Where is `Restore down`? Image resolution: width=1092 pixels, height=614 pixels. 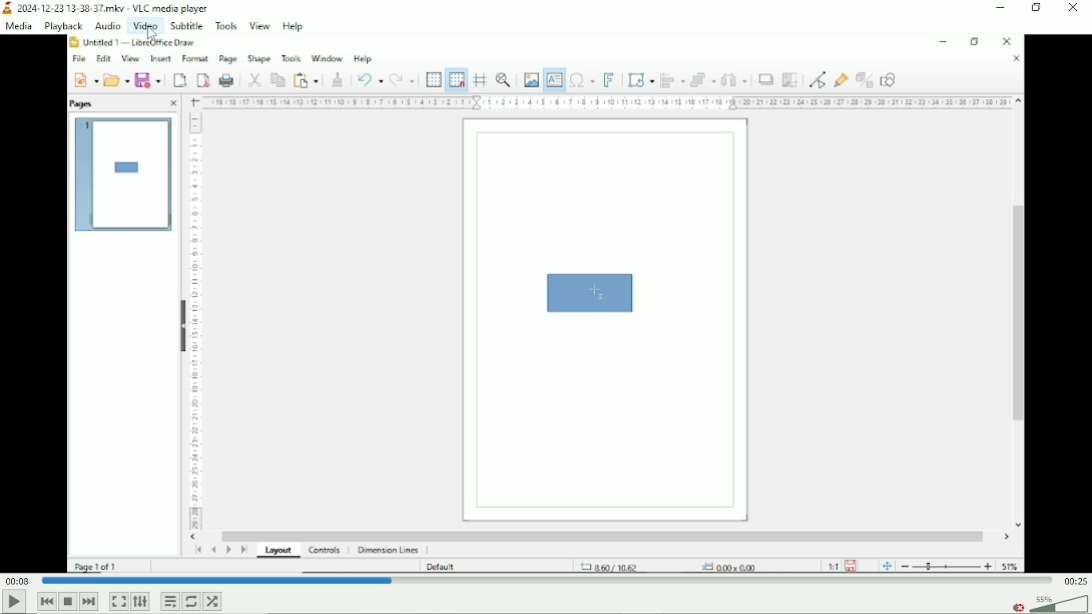
Restore down is located at coordinates (1036, 8).